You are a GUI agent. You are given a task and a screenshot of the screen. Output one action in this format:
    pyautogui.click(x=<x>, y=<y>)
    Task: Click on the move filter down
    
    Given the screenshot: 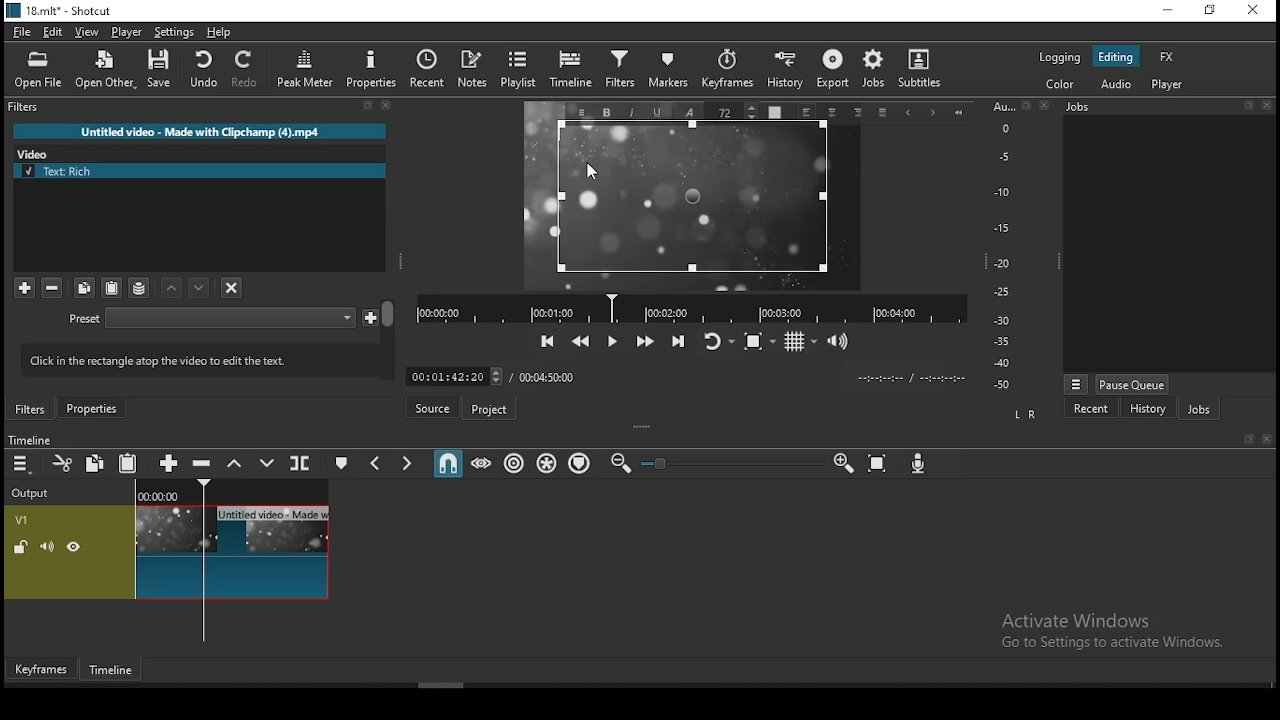 What is the action you would take?
    pyautogui.click(x=173, y=288)
    